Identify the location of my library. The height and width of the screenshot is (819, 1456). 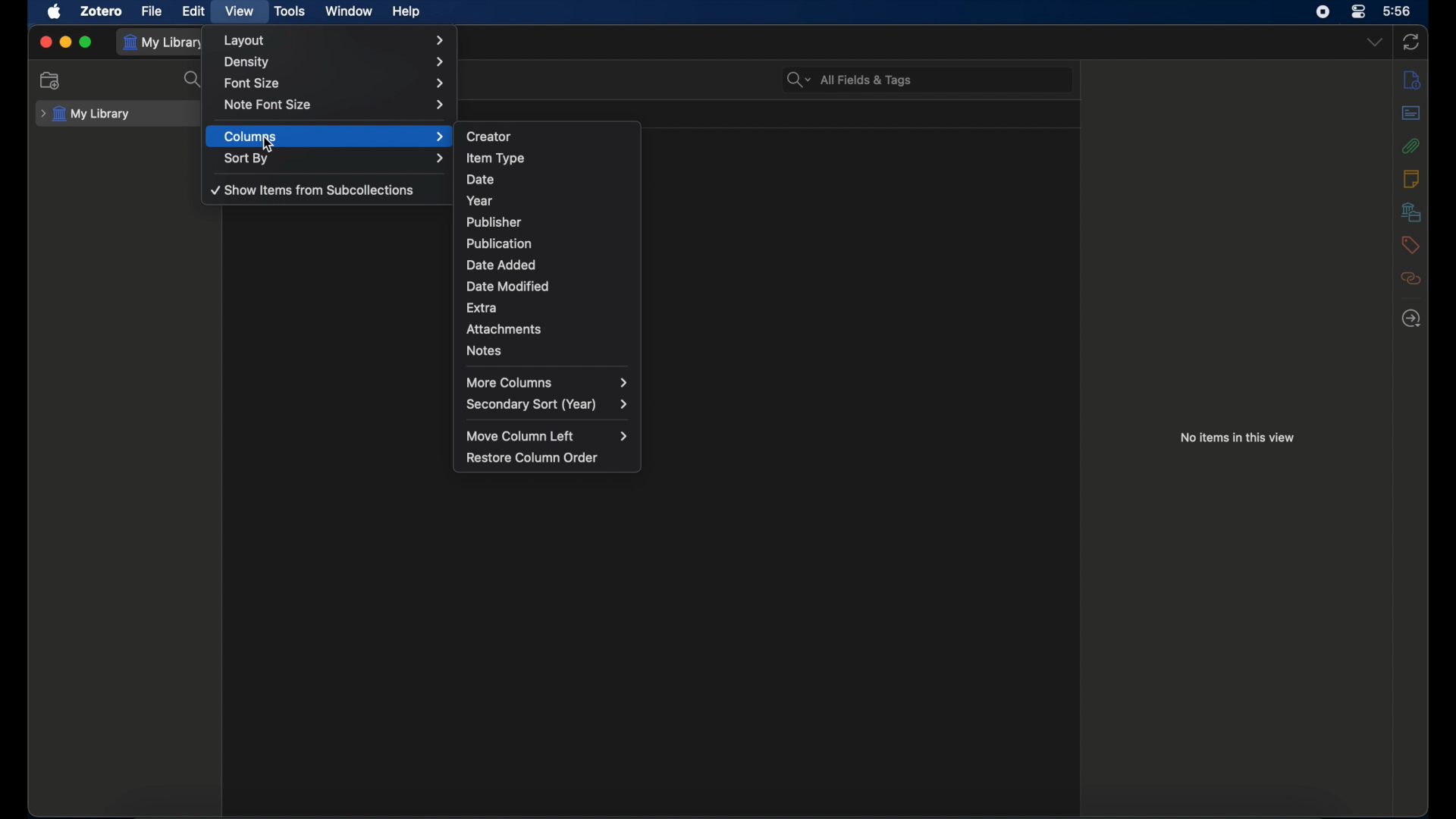
(86, 115).